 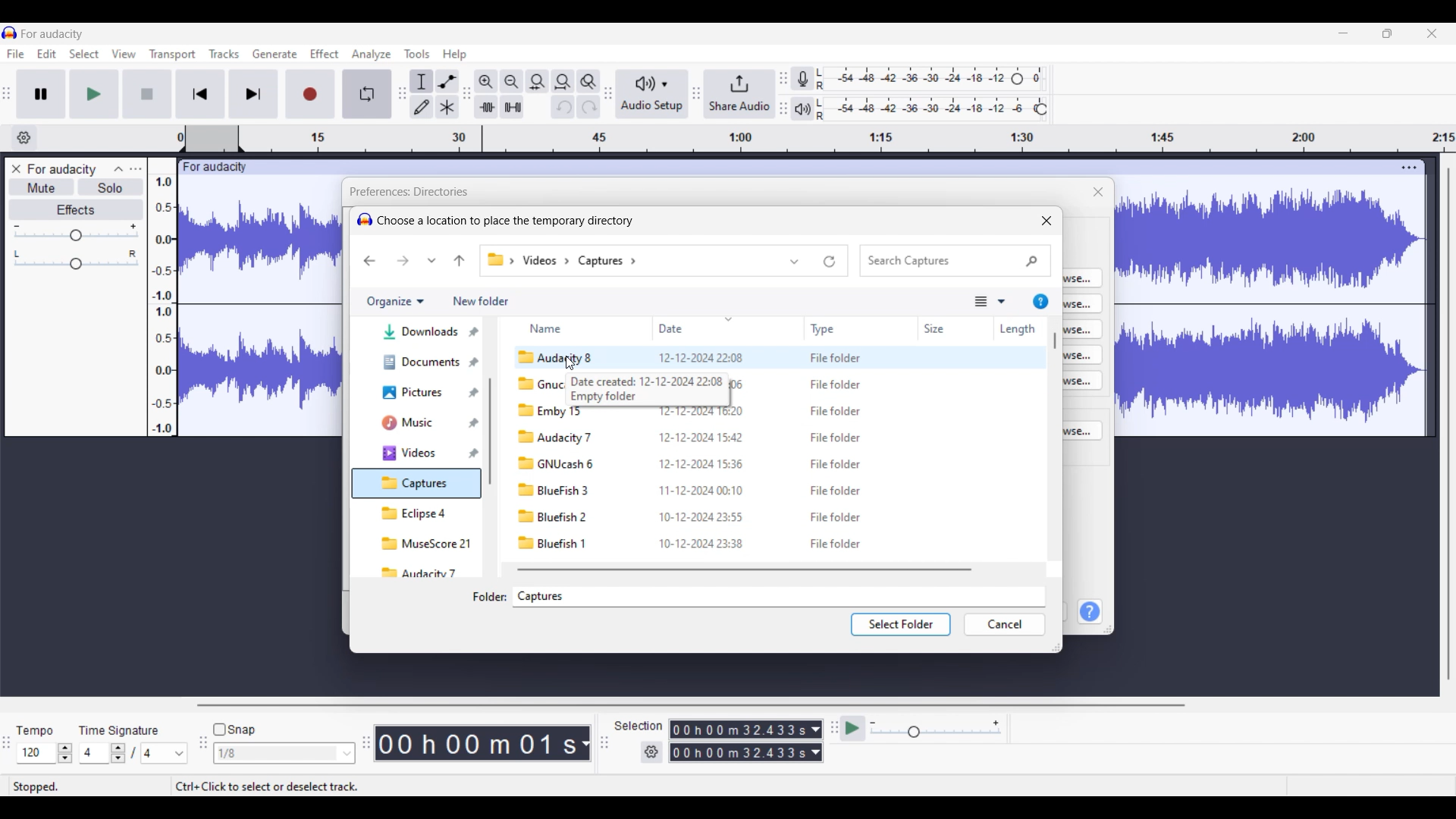 I want to click on Increase/Decrease number, so click(x=118, y=753).